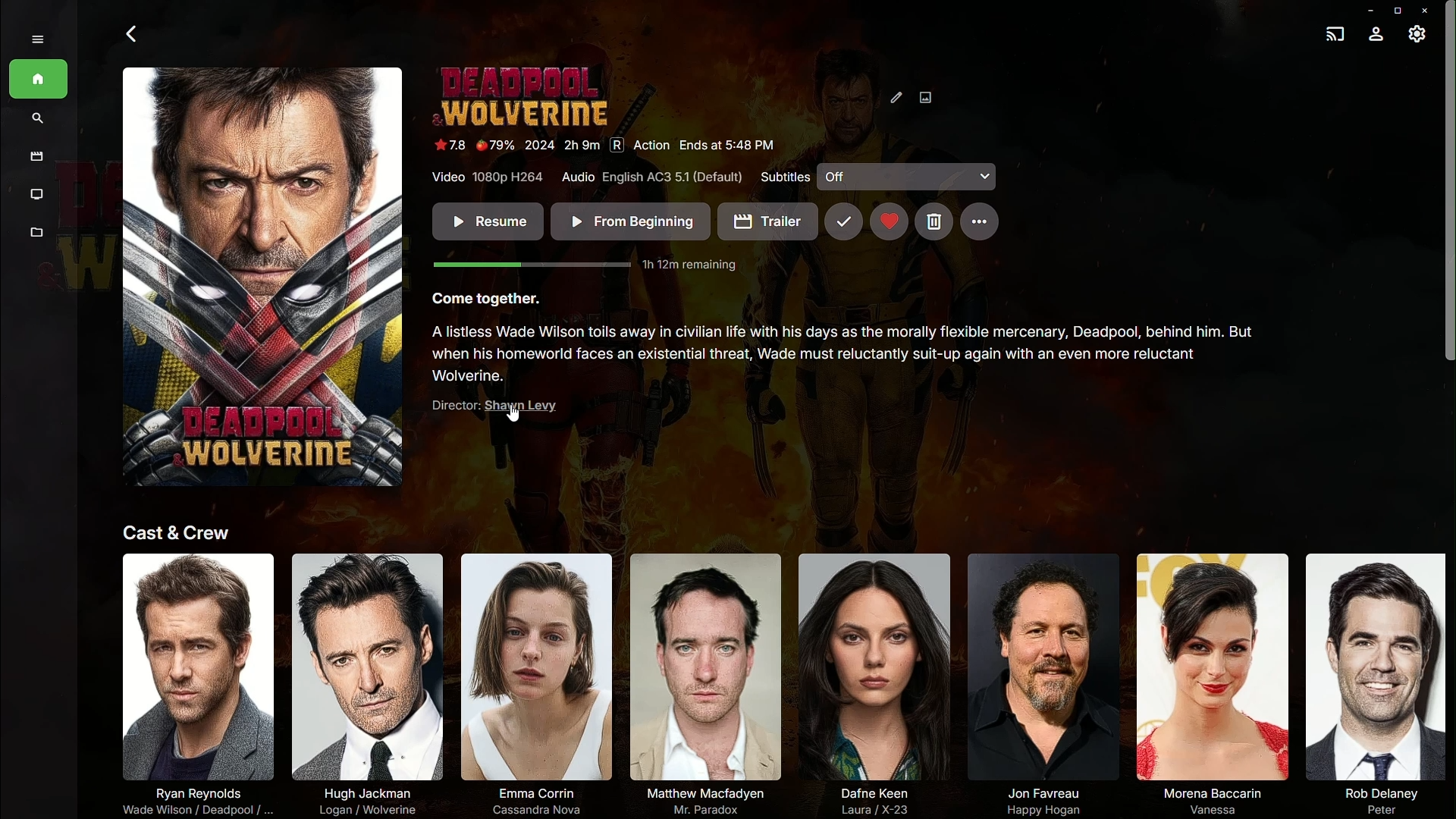 The image size is (1456, 819). What do you see at coordinates (1207, 682) in the screenshot?
I see `Morena Baccarin` at bounding box center [1207, 682].